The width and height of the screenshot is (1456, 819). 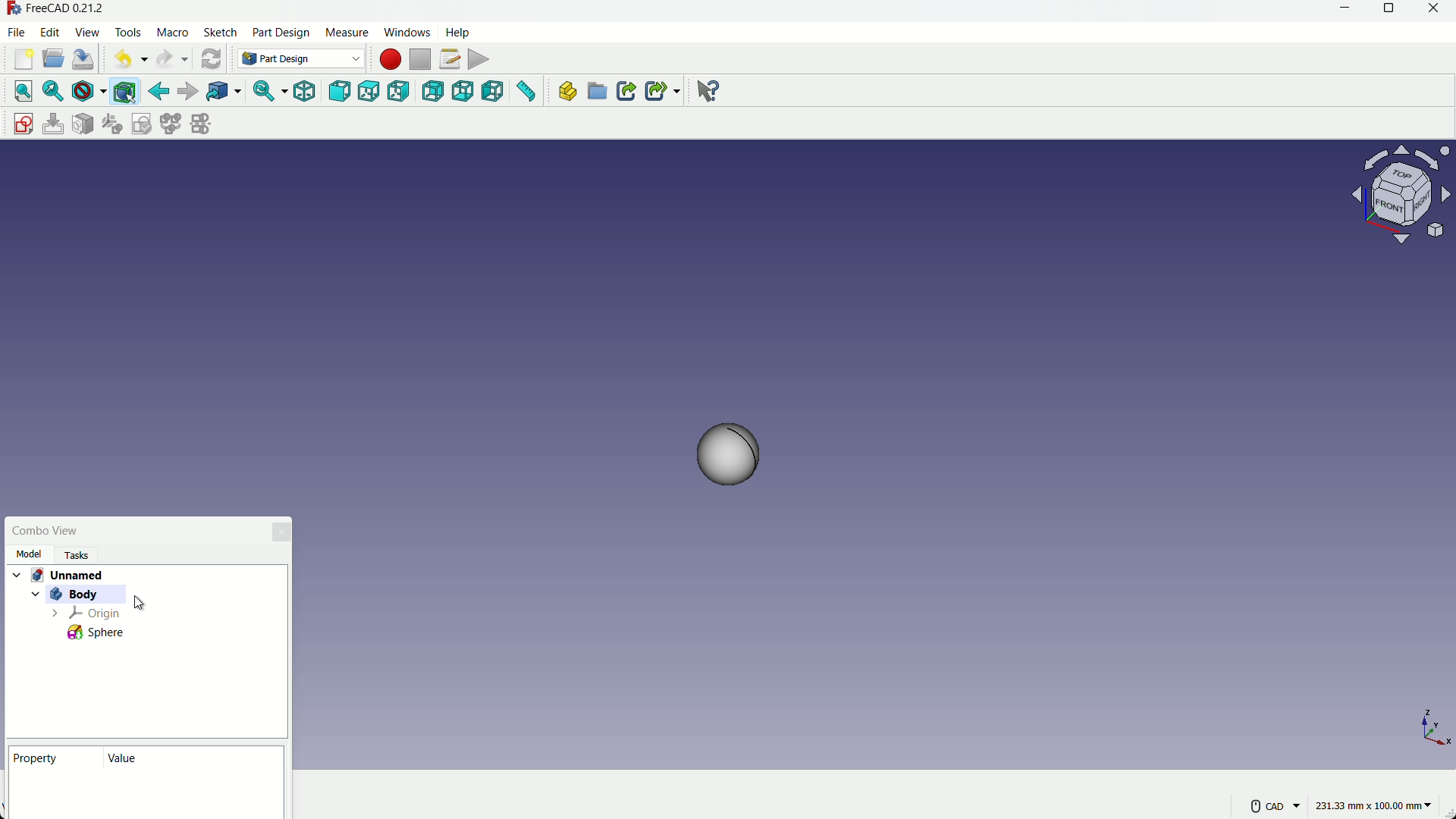 What do you see at coordinates (1398, 193) in the screenshot?
I see `` at bounding box center [1398, 193].